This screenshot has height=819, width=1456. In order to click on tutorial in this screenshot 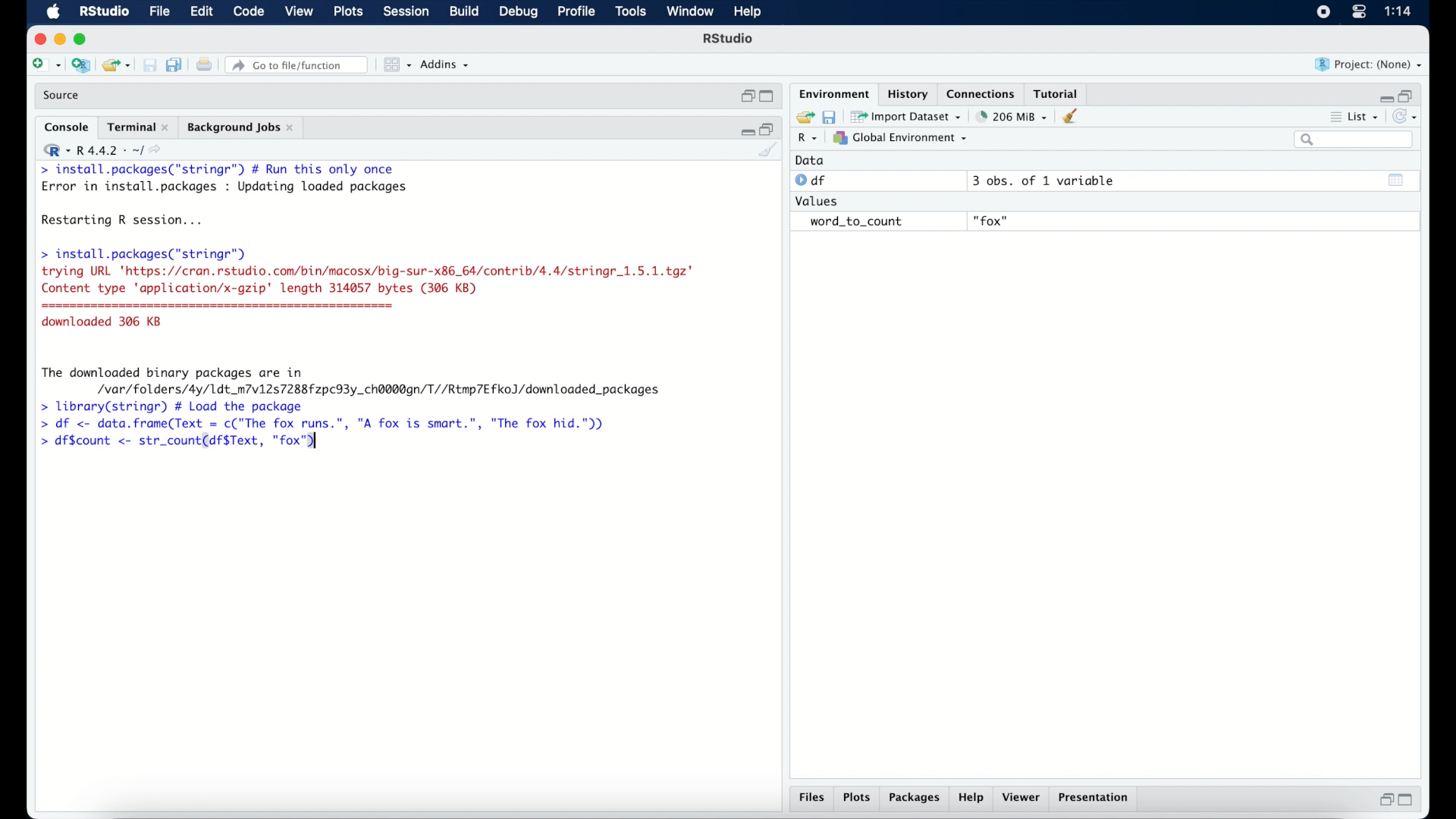, I will do `click(1056, 92)`.